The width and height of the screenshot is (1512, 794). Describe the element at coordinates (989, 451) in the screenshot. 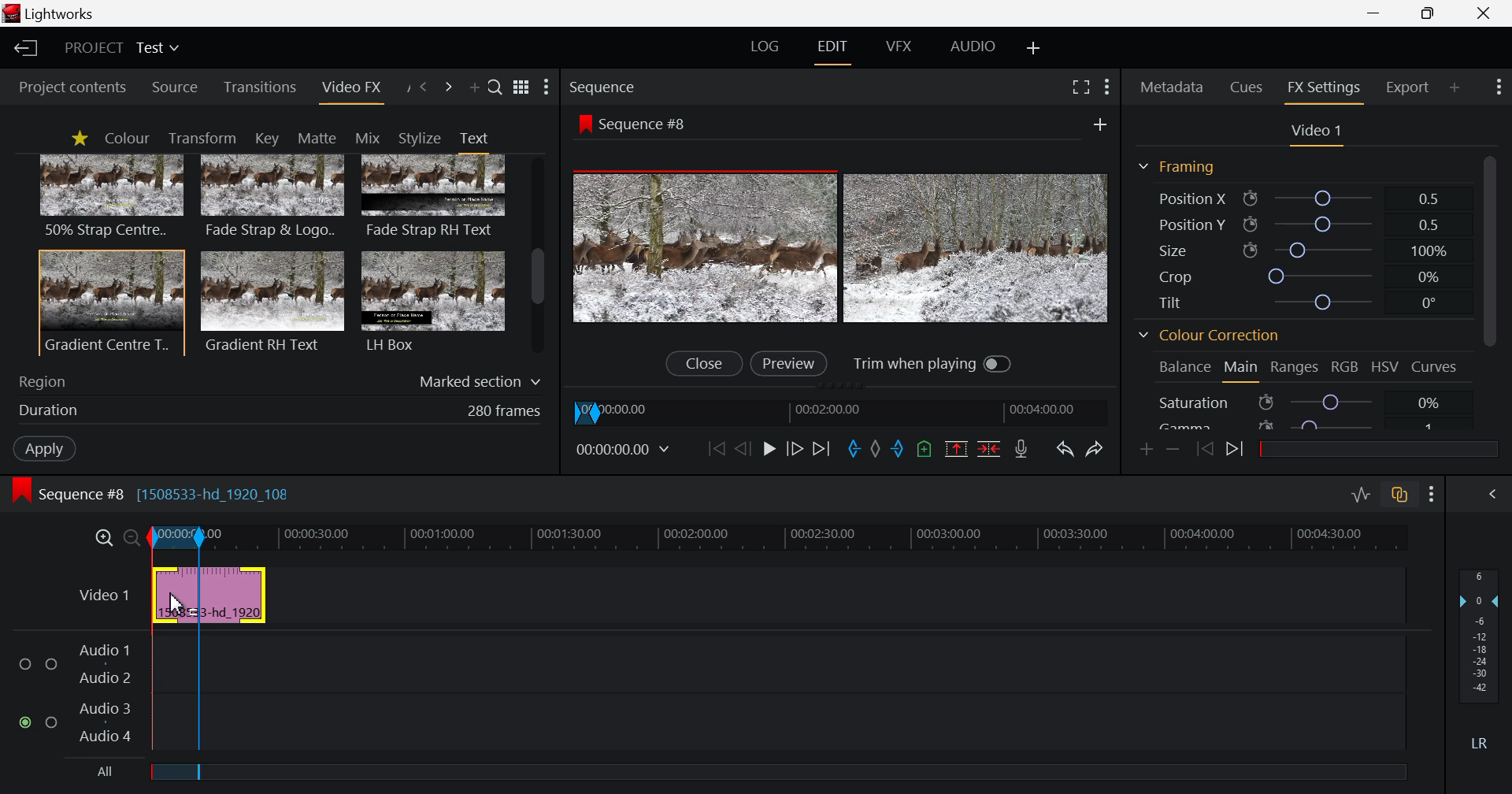

I see `Delete/Cut` at that location.